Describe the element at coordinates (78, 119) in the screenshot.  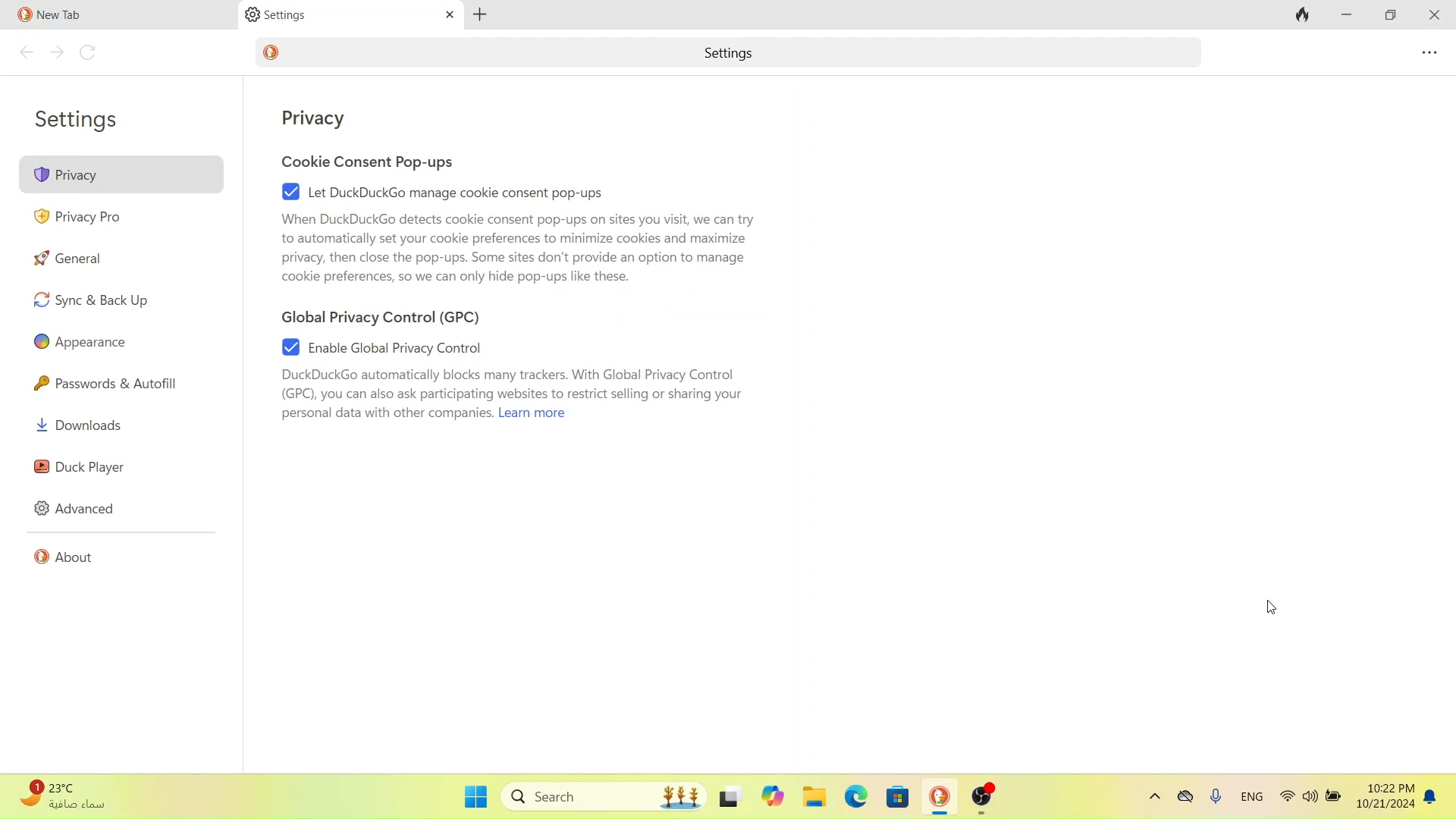
I see `settings` at that location.